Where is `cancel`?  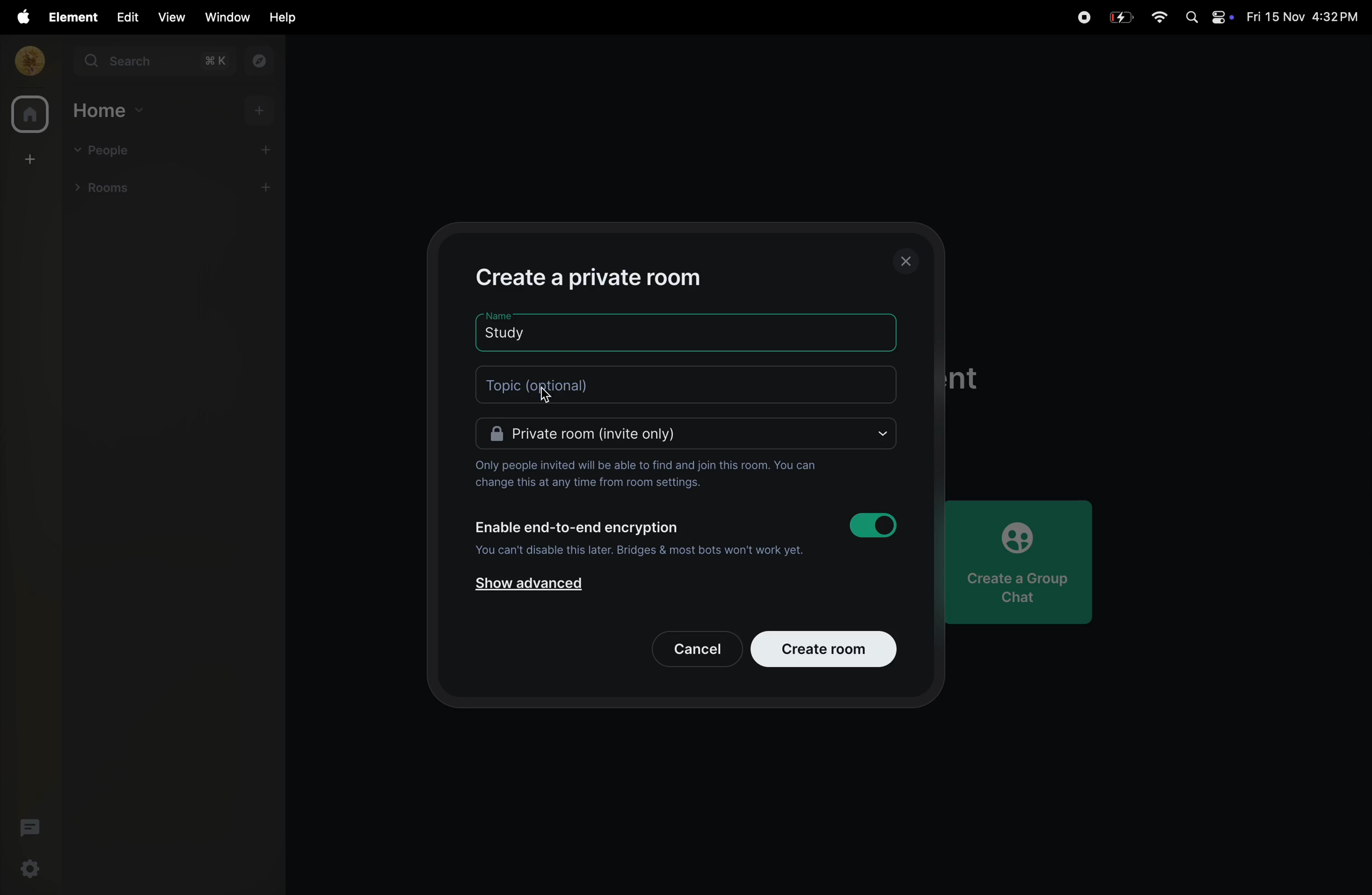 cancel is located at coordinates (688, 646).